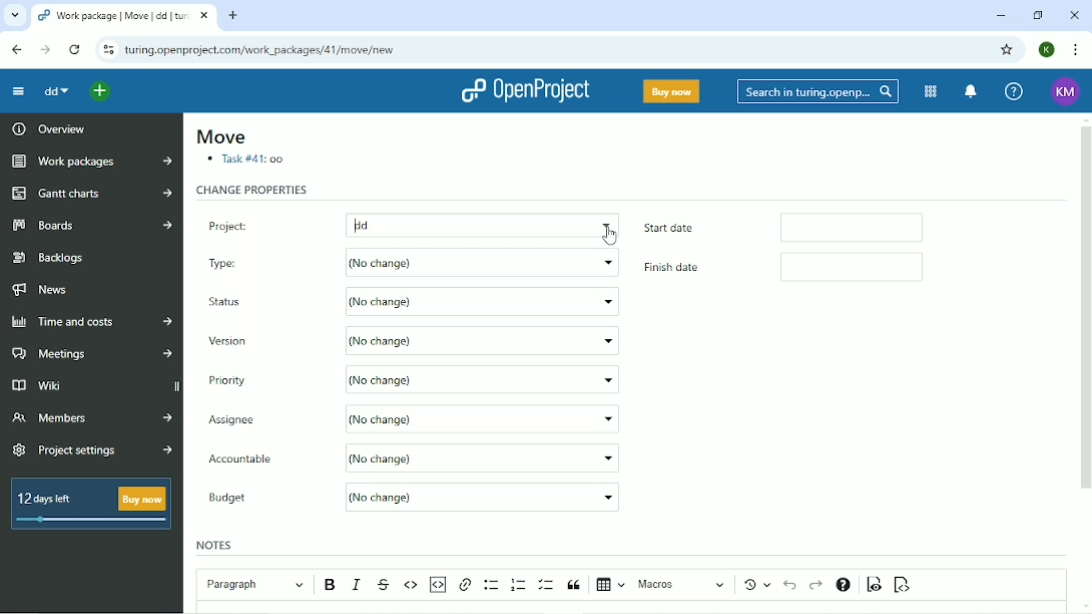 This screenshot has height=614, width=1092. I want to click on Buy now, so click(672, 91).